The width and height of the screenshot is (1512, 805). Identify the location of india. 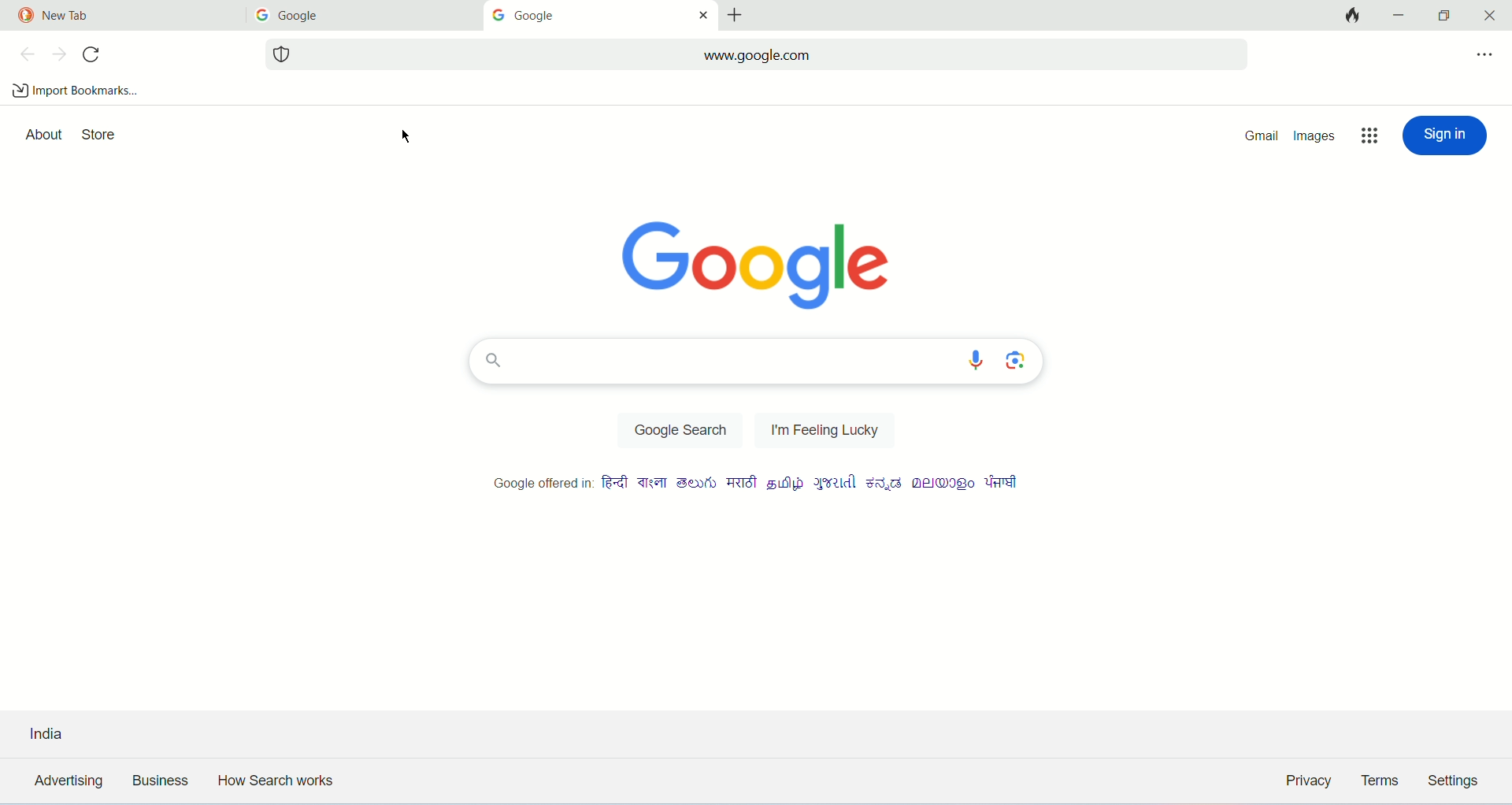
(41, 737).